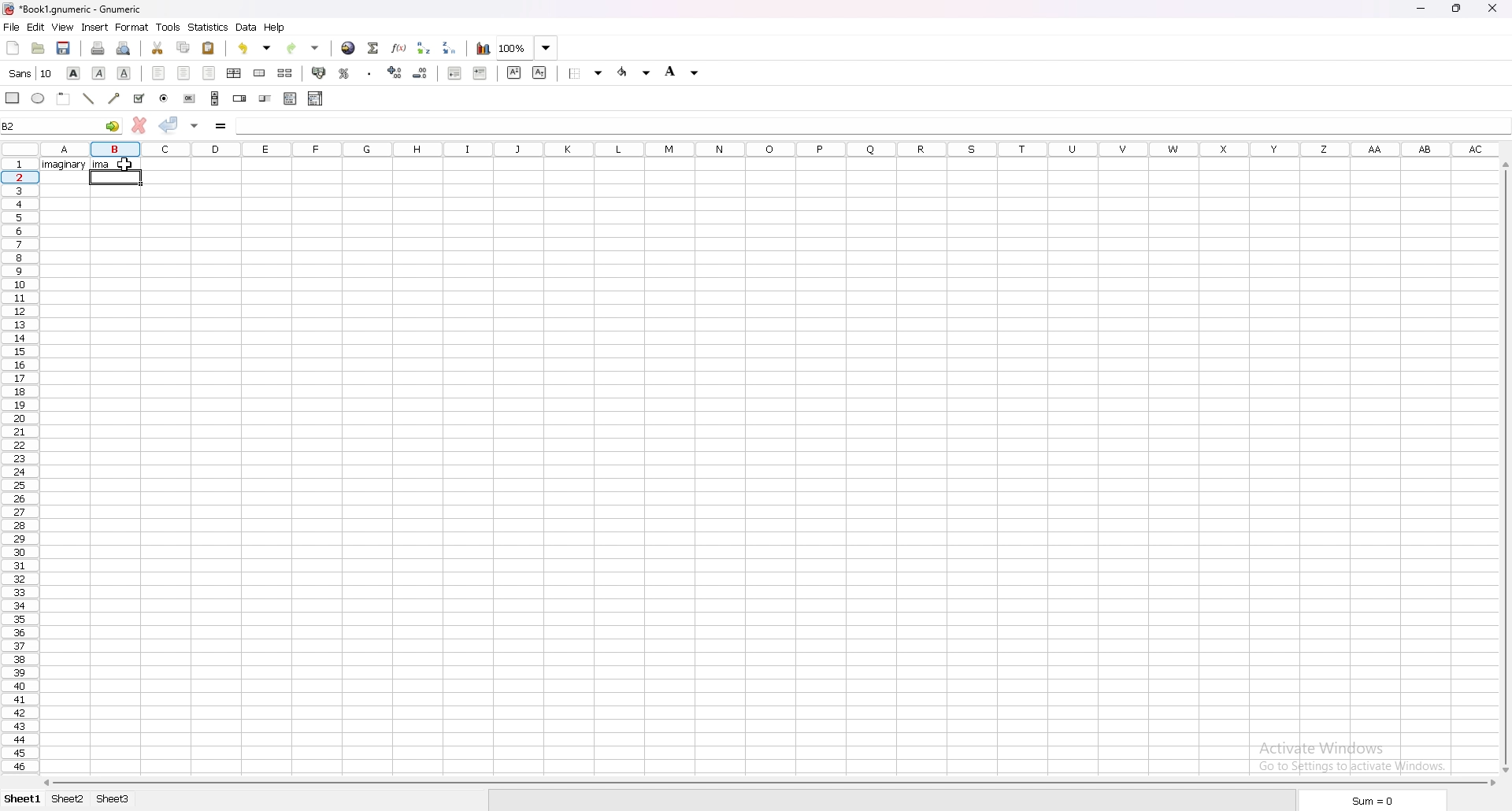  Describe the element at coordinates (132, 28) in the screenshot. I see `format` at that location.